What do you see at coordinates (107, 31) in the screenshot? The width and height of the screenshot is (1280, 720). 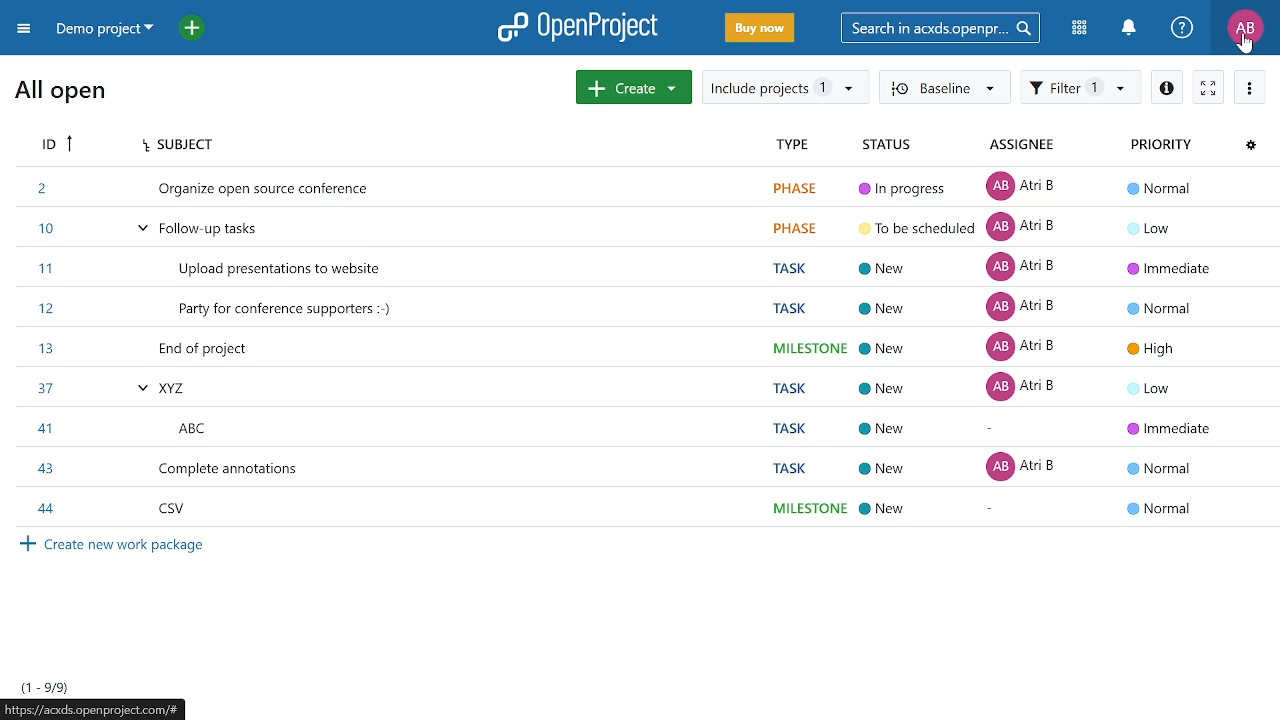 I see `Current project` at bounding box center [107, 31].